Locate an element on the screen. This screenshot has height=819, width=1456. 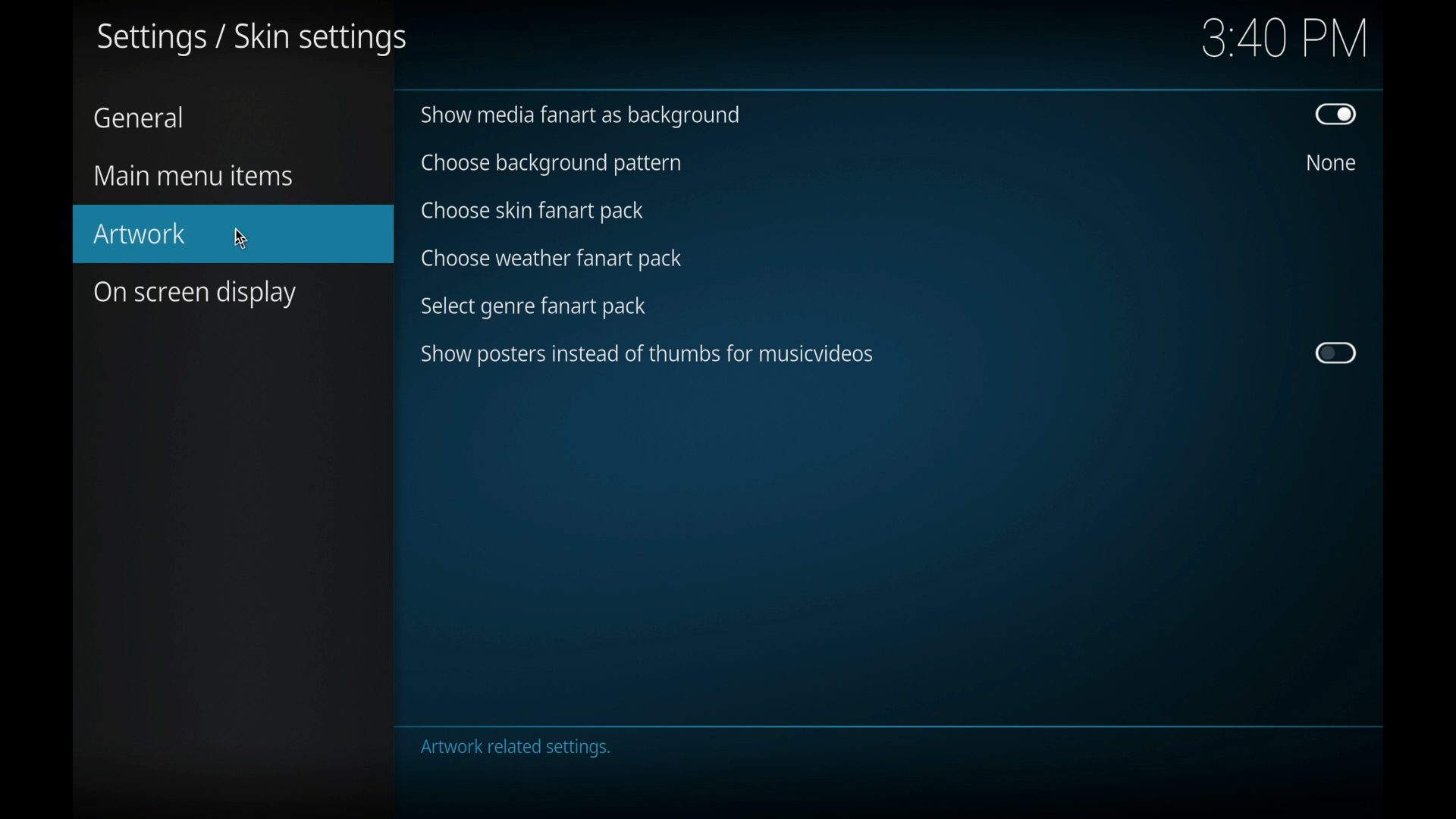
show media is located at coordinates (579, 117).